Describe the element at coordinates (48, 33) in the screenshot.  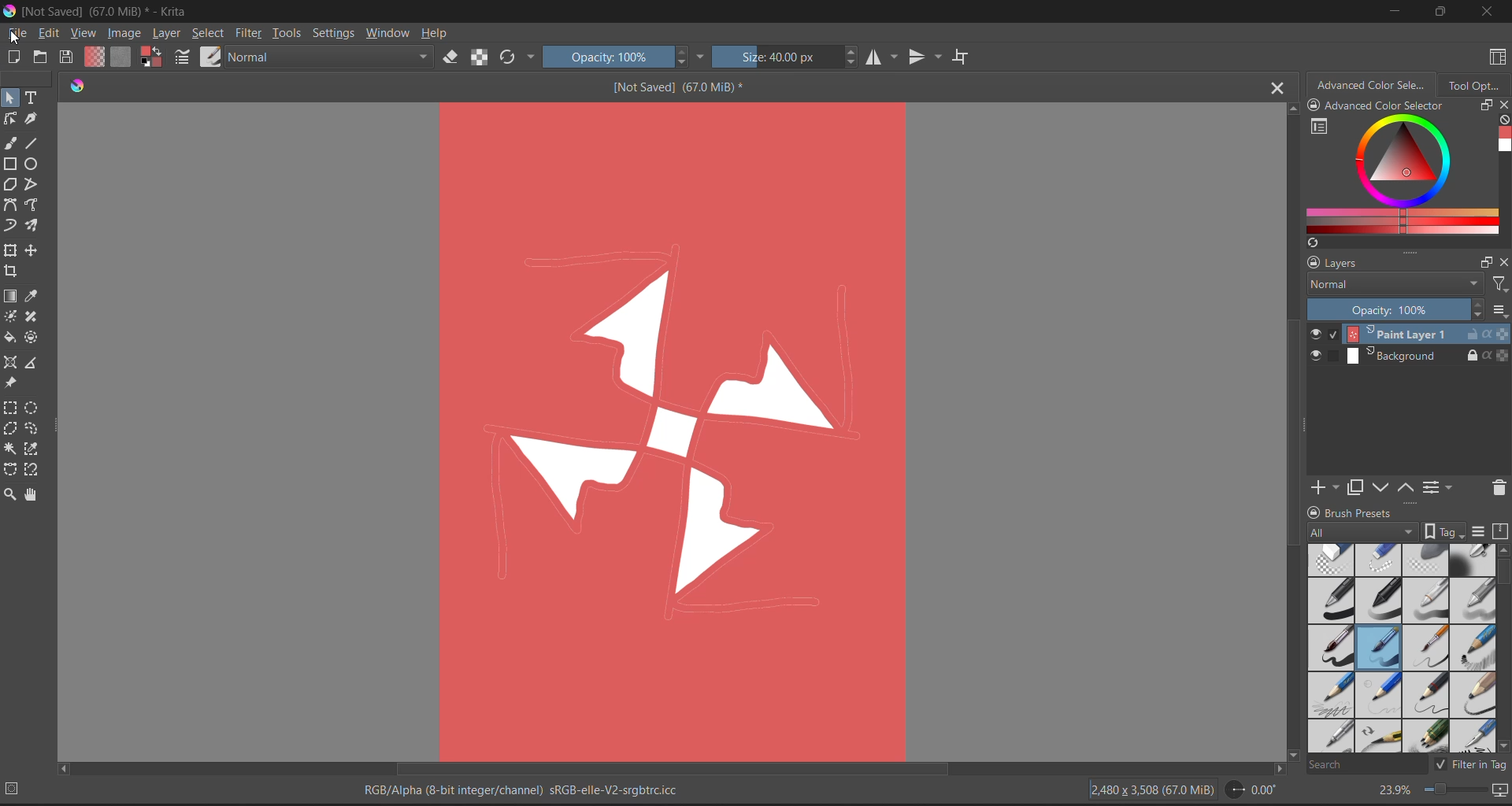
I see `edit` at that location.